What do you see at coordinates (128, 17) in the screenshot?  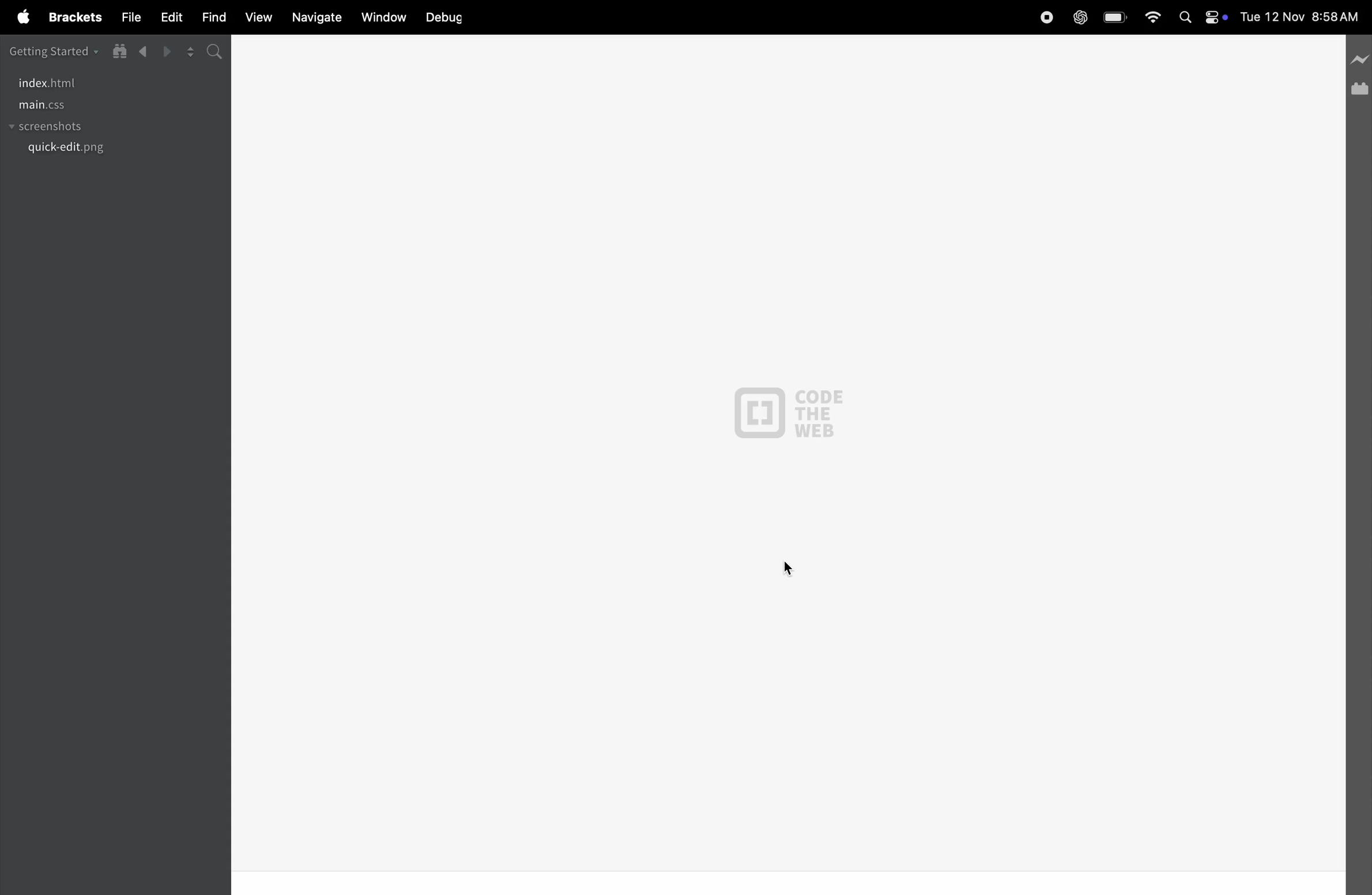 I see `file` at bounding box center [128, 17].